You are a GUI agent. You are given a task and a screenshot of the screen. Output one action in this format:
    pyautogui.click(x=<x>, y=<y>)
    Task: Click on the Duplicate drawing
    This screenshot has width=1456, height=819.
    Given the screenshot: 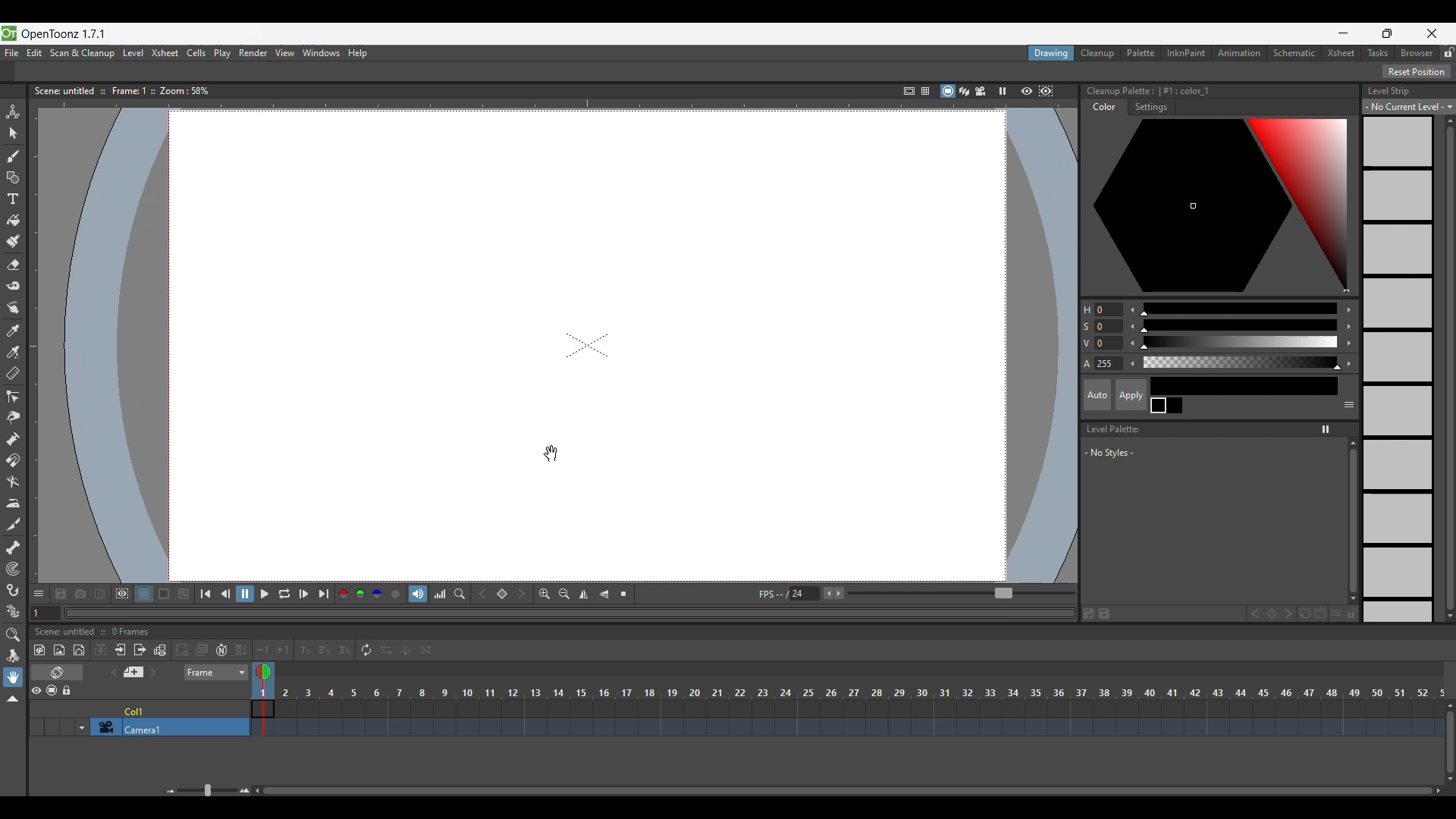 What is the action you would take?
    pyautogui.click(x=202, y=650)
    